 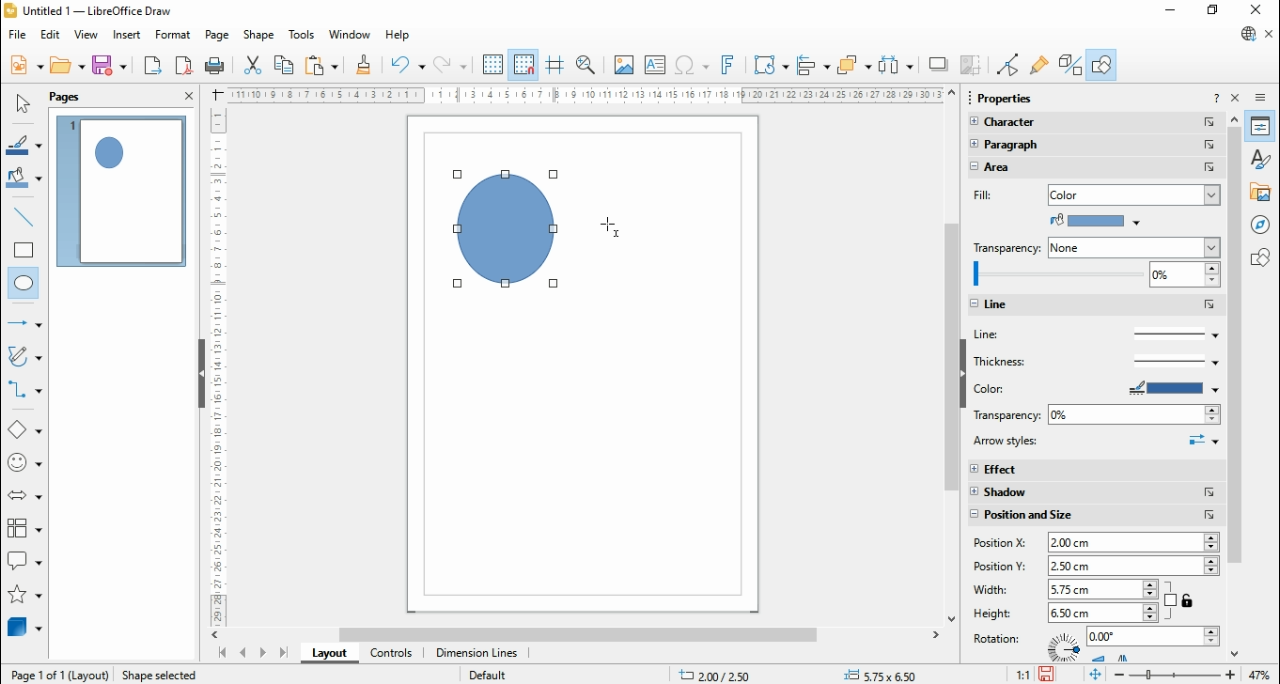 I want to click on export, so click(x=152, y=65).